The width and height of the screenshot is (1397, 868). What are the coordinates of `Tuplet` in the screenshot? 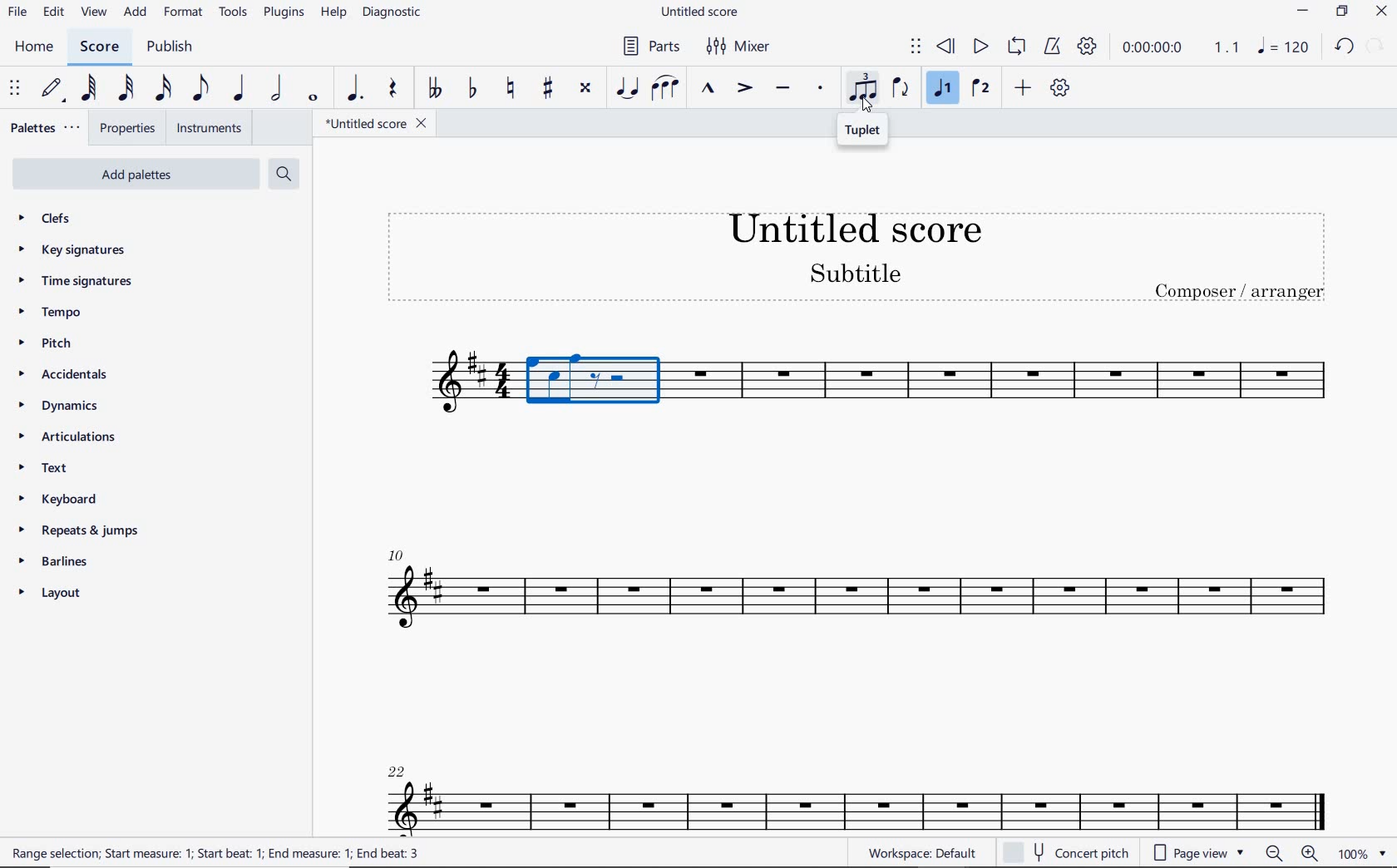 It's located at (864, 131).